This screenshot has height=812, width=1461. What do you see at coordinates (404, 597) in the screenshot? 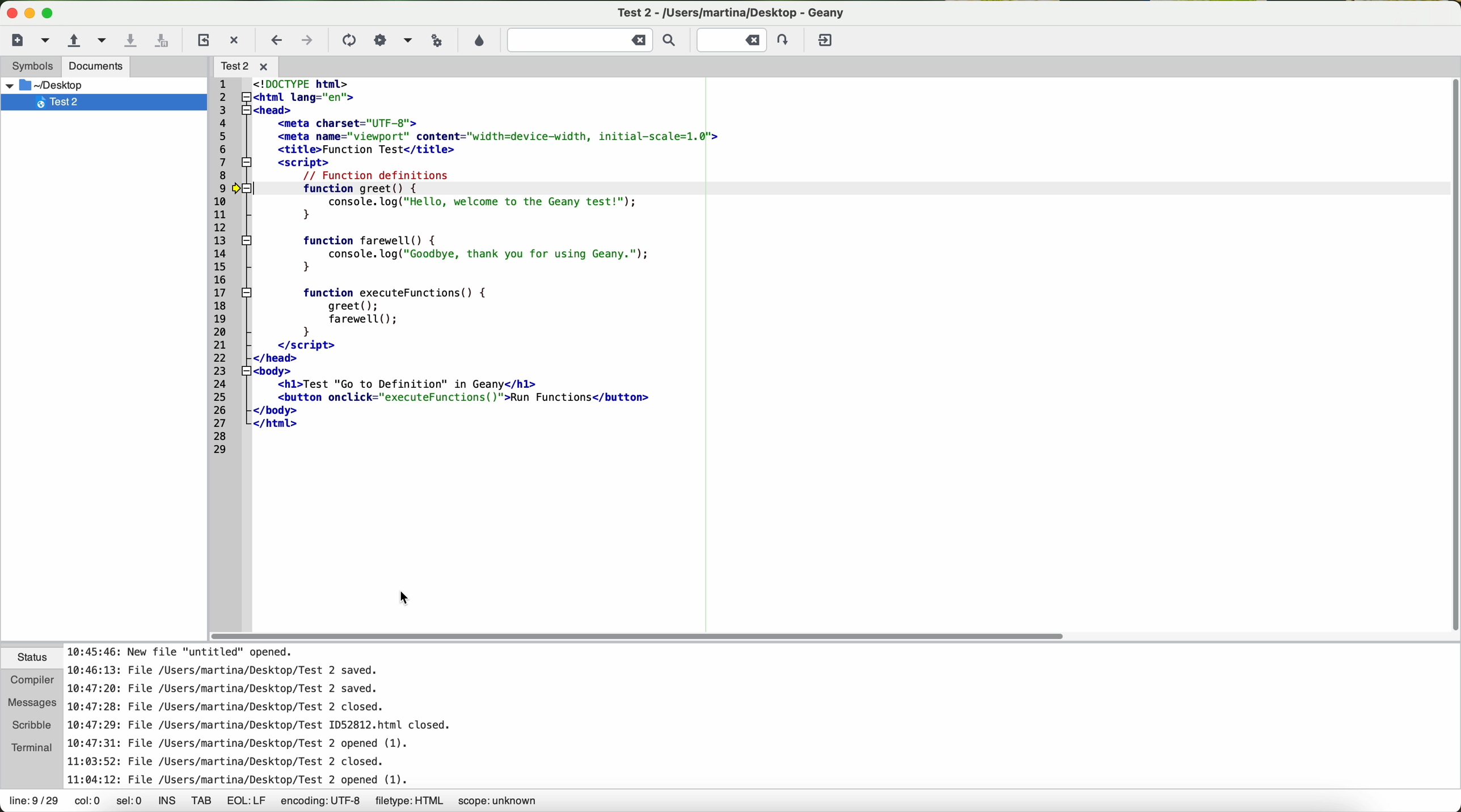
I see `pointer` at bounding box center [404, 597].